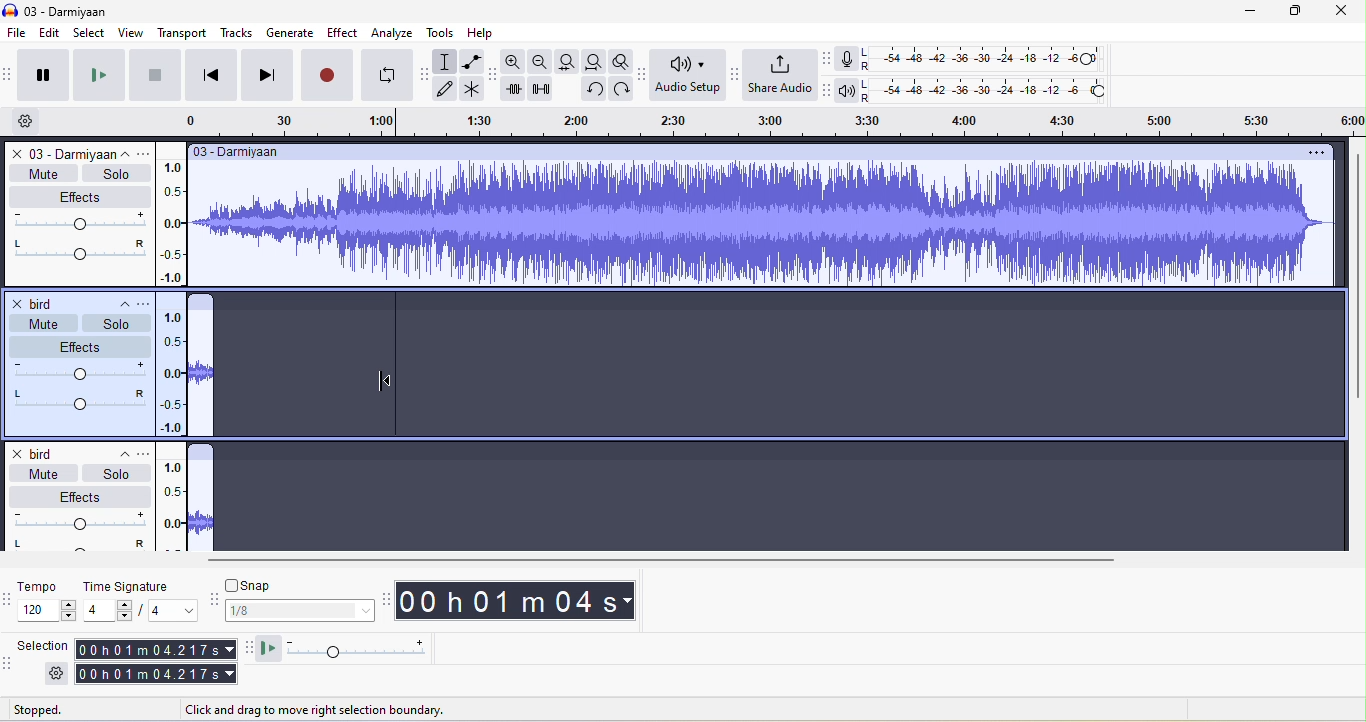 This screenshot has width=1366, height=722. What do you see at coordinates (9, 74) in the screenshot?
I see `audacity transport toolbar` at bounding box center [9, 74].